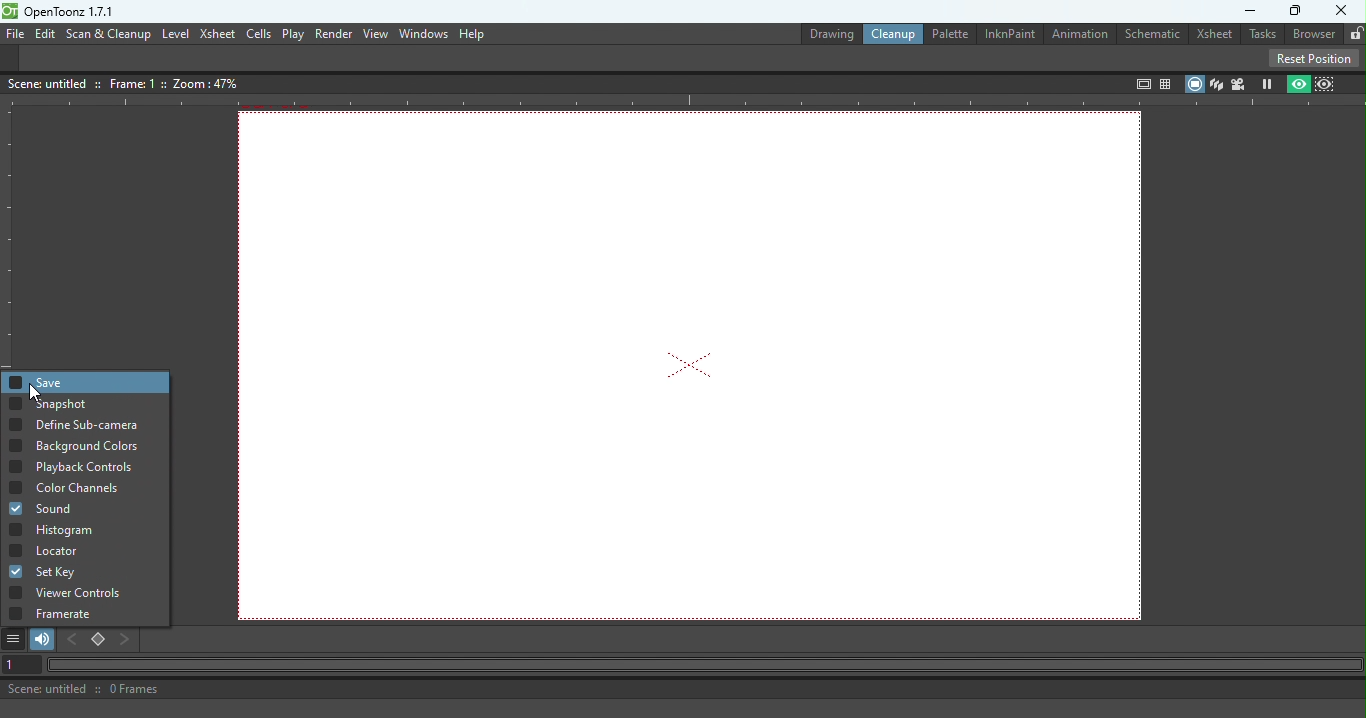 The height and width of the screenshot is (718, 1366). What do you see at coordinates (51, 403) in the screenshot?
I see `Snapshot` at bounding box center [51, 403].